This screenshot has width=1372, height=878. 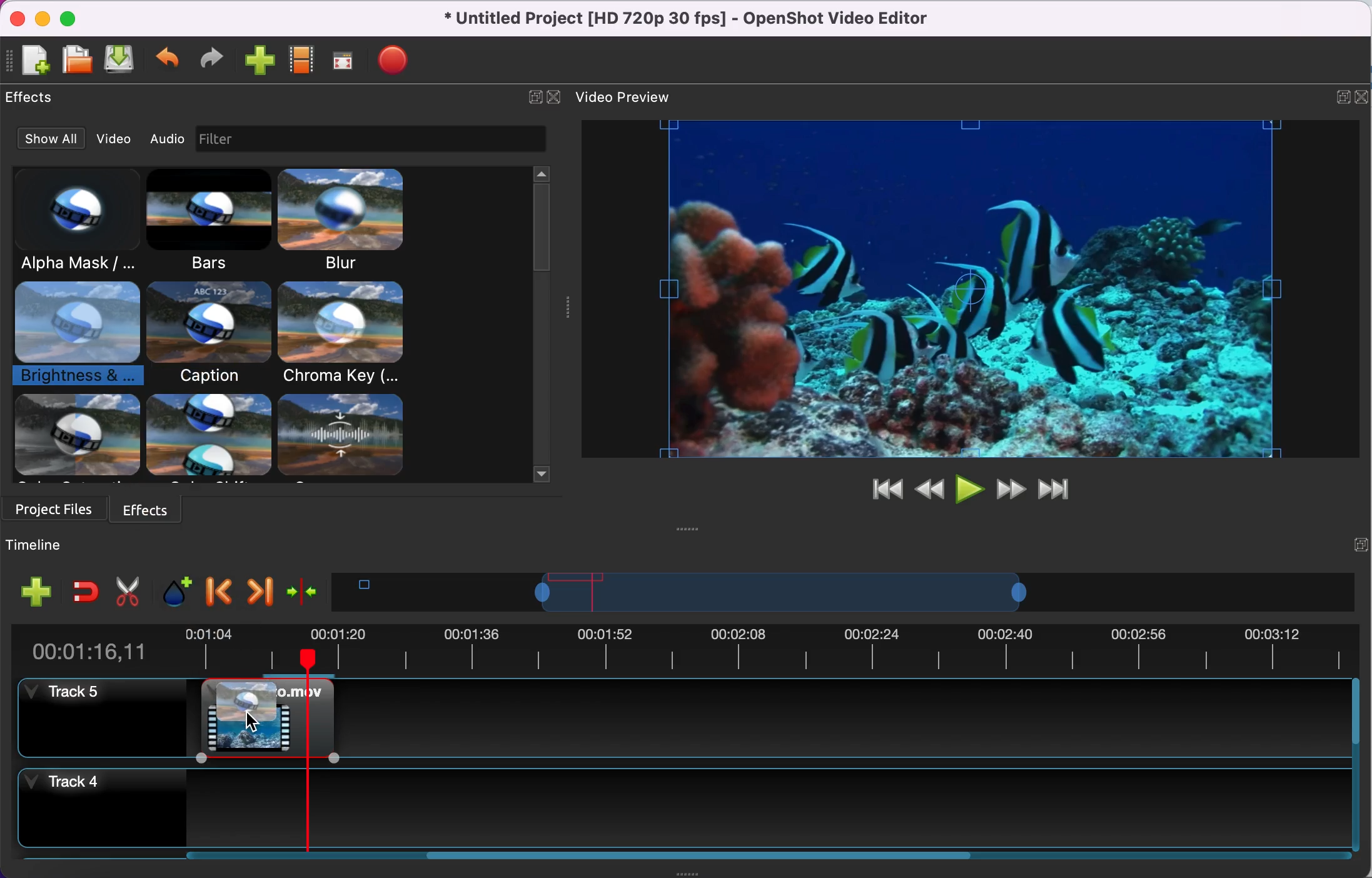 What do you see at coordinates (216, 438) in the screenshot?
I see `other effects` at bounding box center [216, 438].